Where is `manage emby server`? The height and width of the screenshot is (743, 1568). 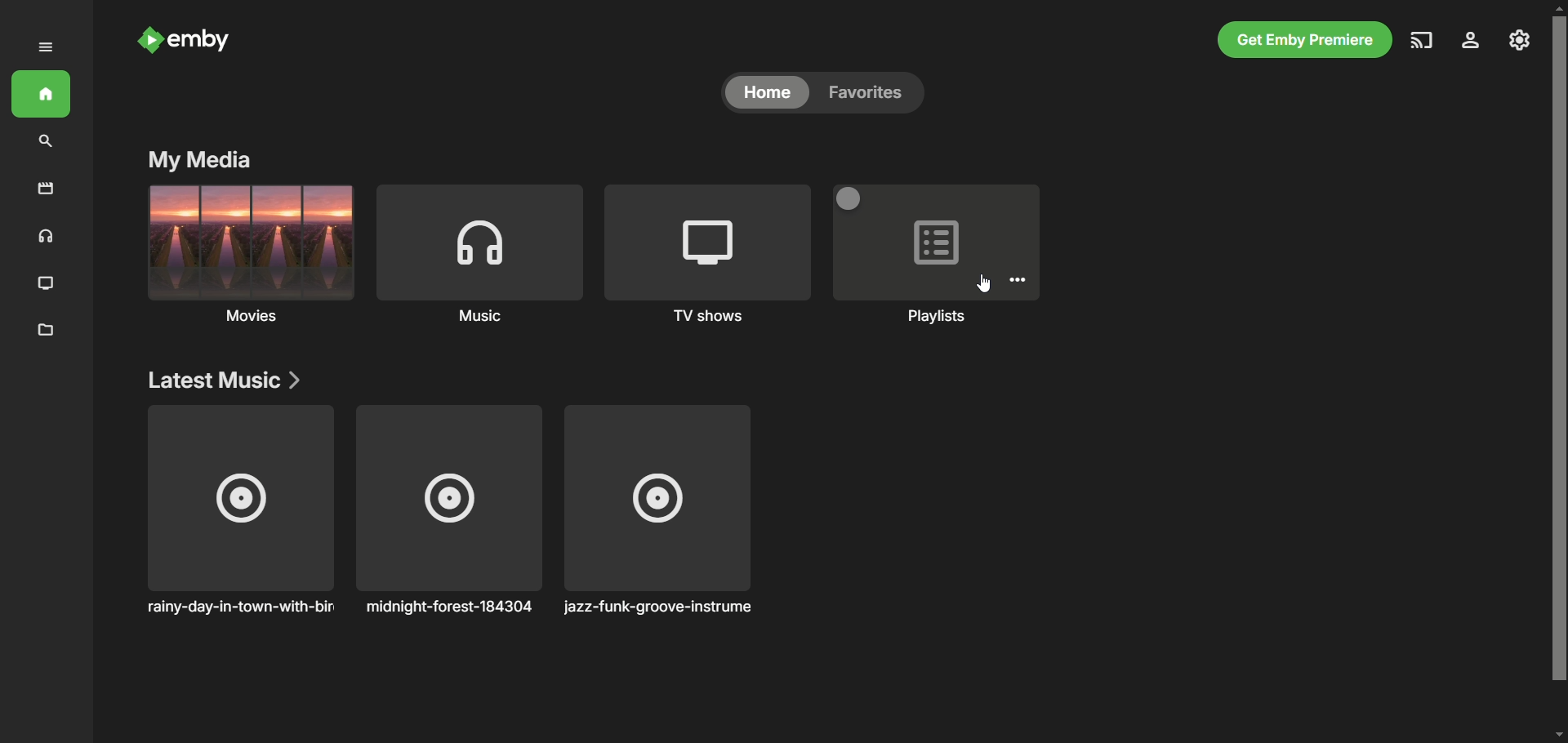
manage emby server is located at coordinates (1520, 40).